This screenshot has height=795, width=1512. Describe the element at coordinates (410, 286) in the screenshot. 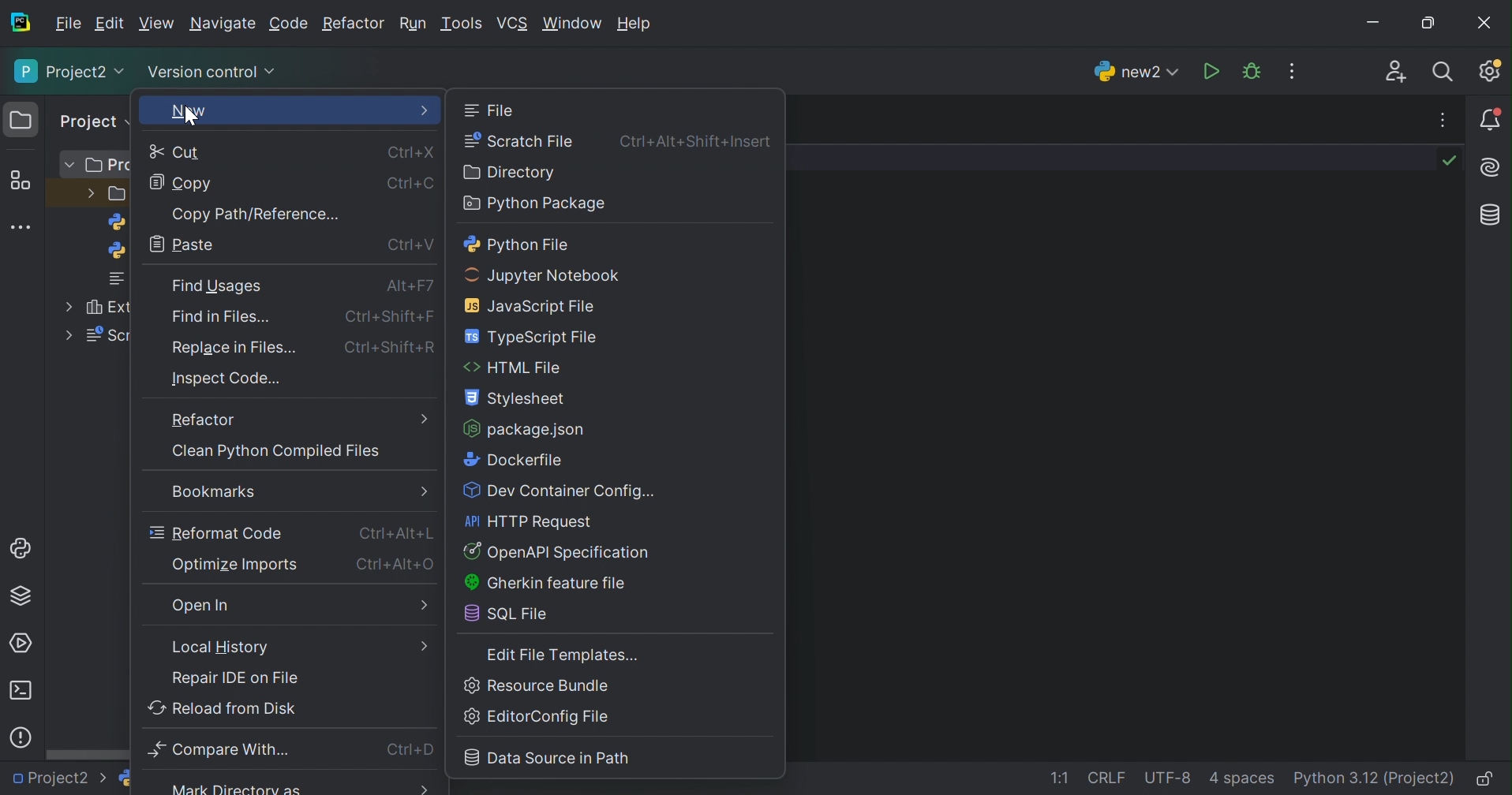

I see `Alt+F7` at that location.